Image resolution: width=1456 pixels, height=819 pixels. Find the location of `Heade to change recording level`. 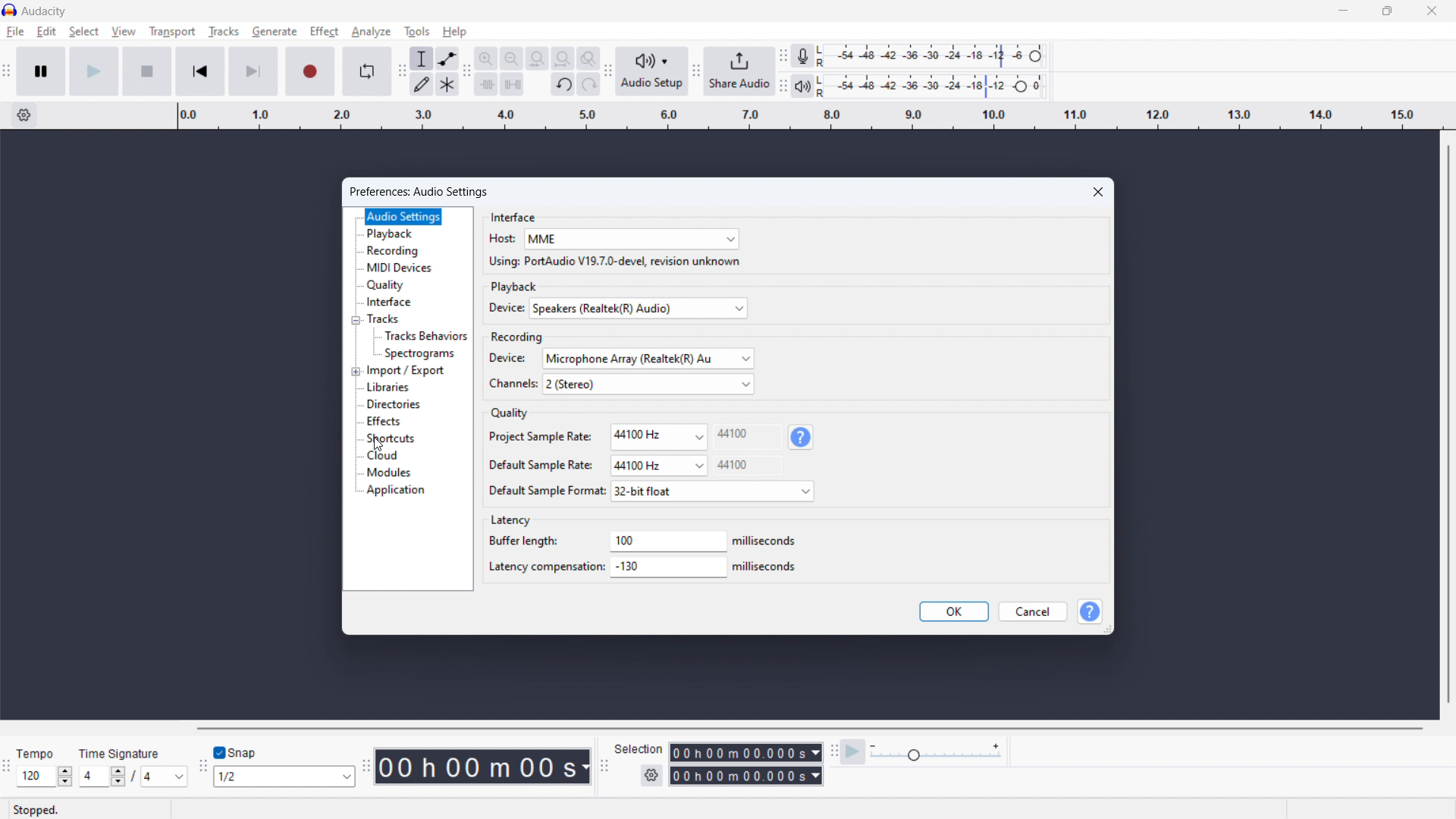

Heade to change recording level is located at coordinates (1035, 56).